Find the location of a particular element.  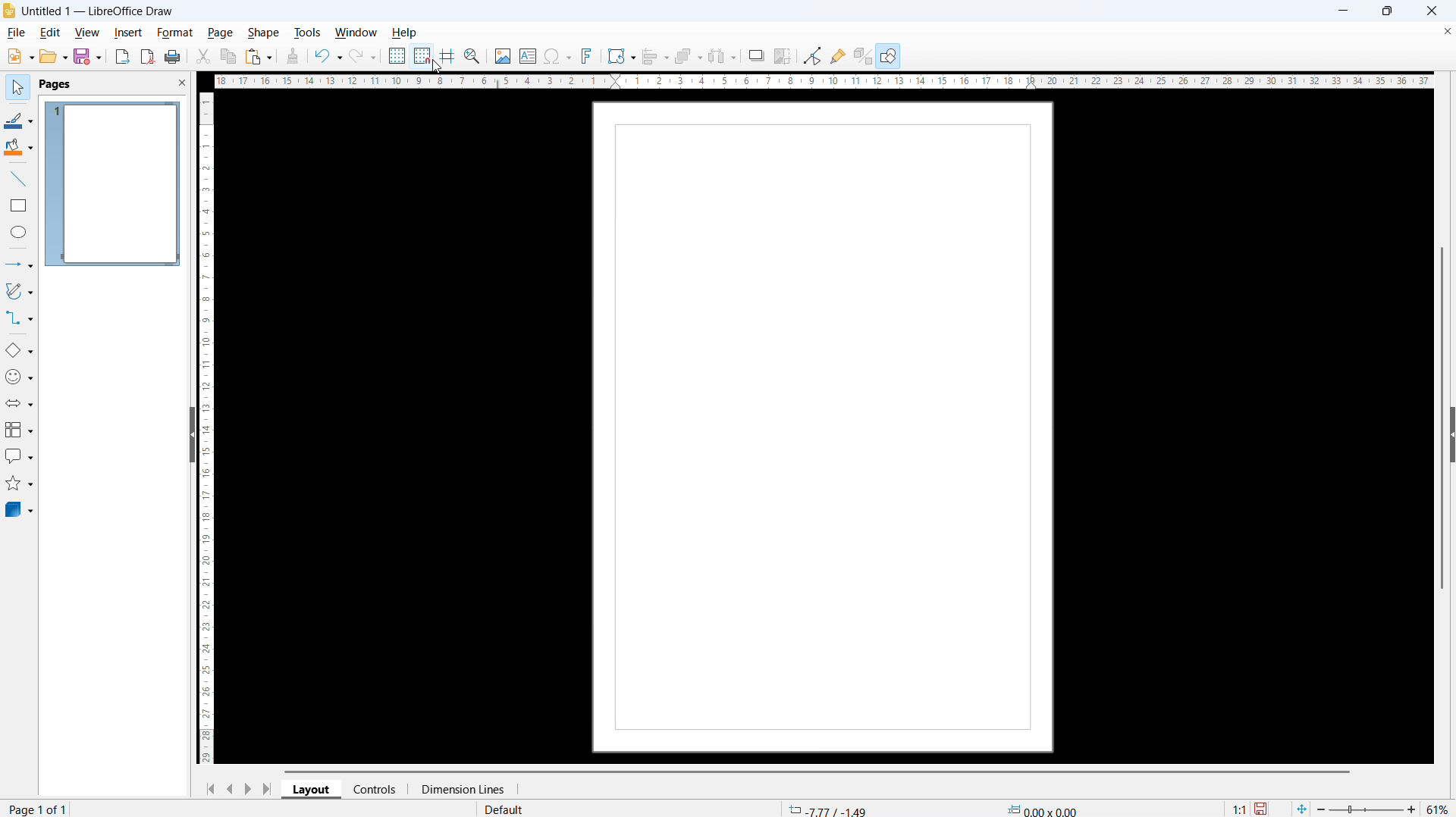

Clone formatting  is located at coordinates (291, 56).